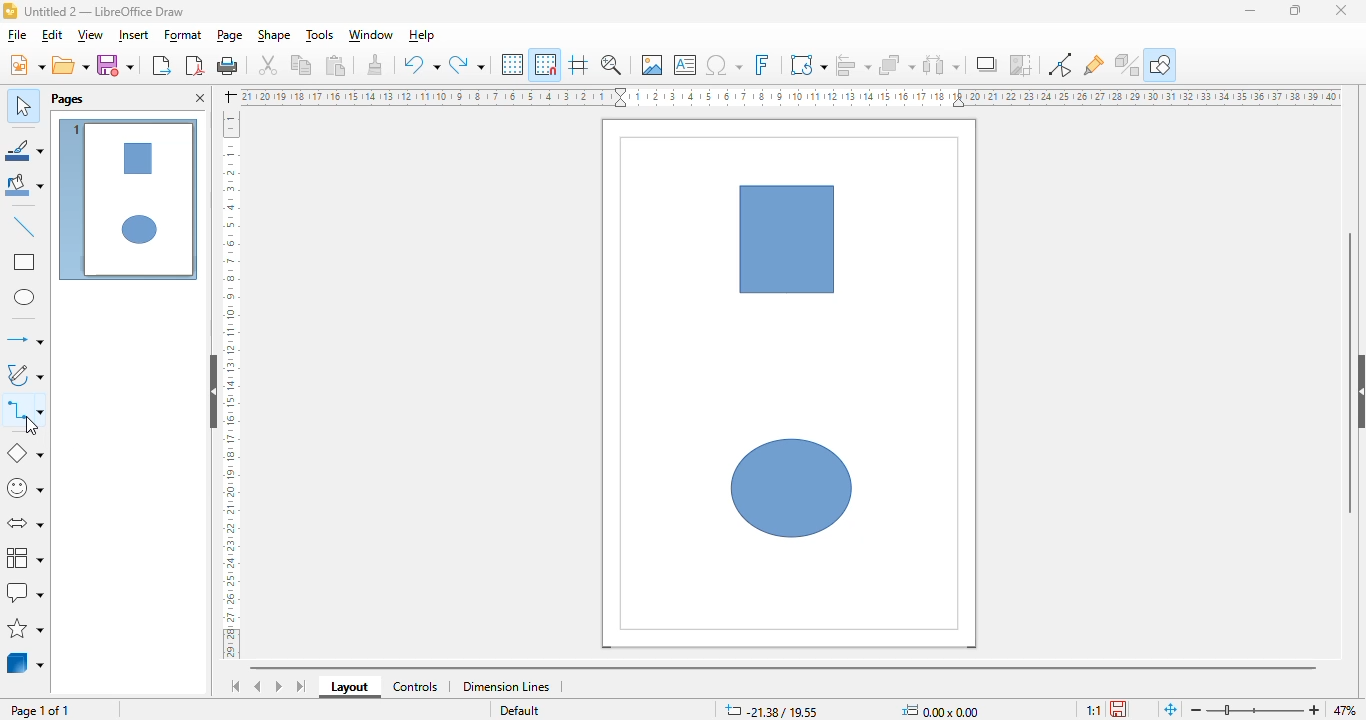  I want to click on connectors, so click(26, 409).